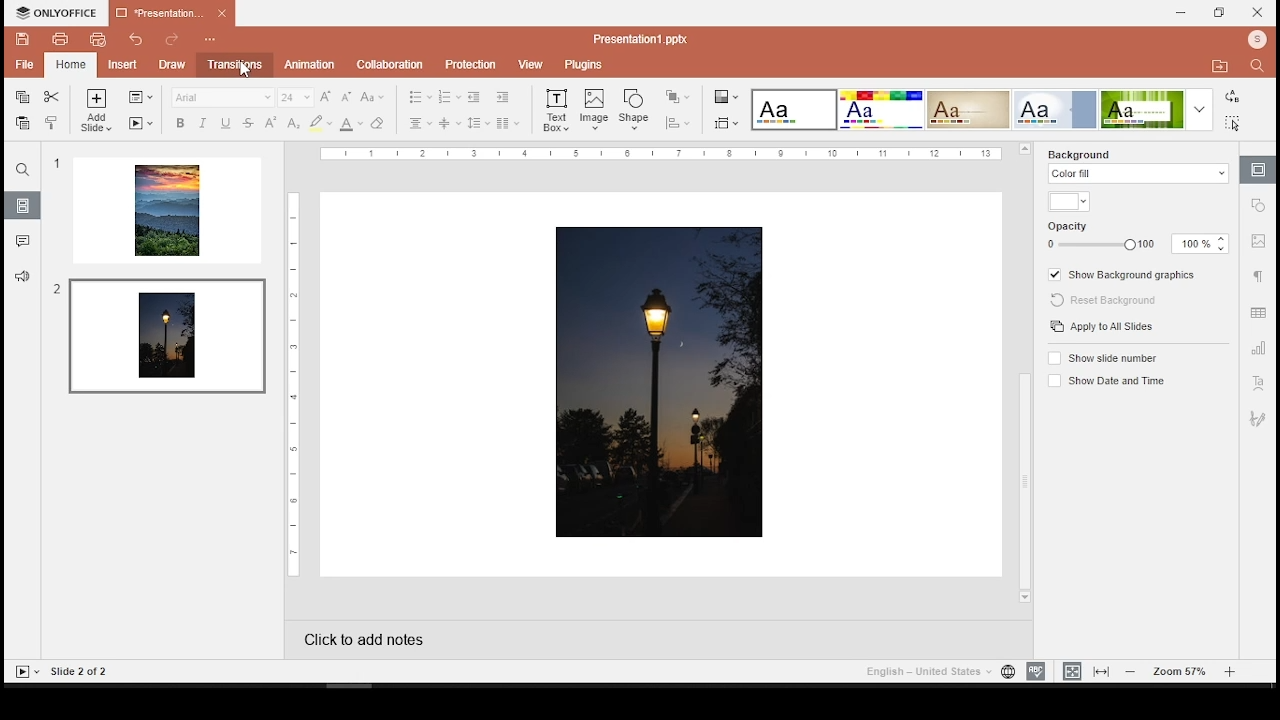 Image resolution: width=1280 pixels, height=720 pixels. I want to click on zoom level, so click(1180, 671).